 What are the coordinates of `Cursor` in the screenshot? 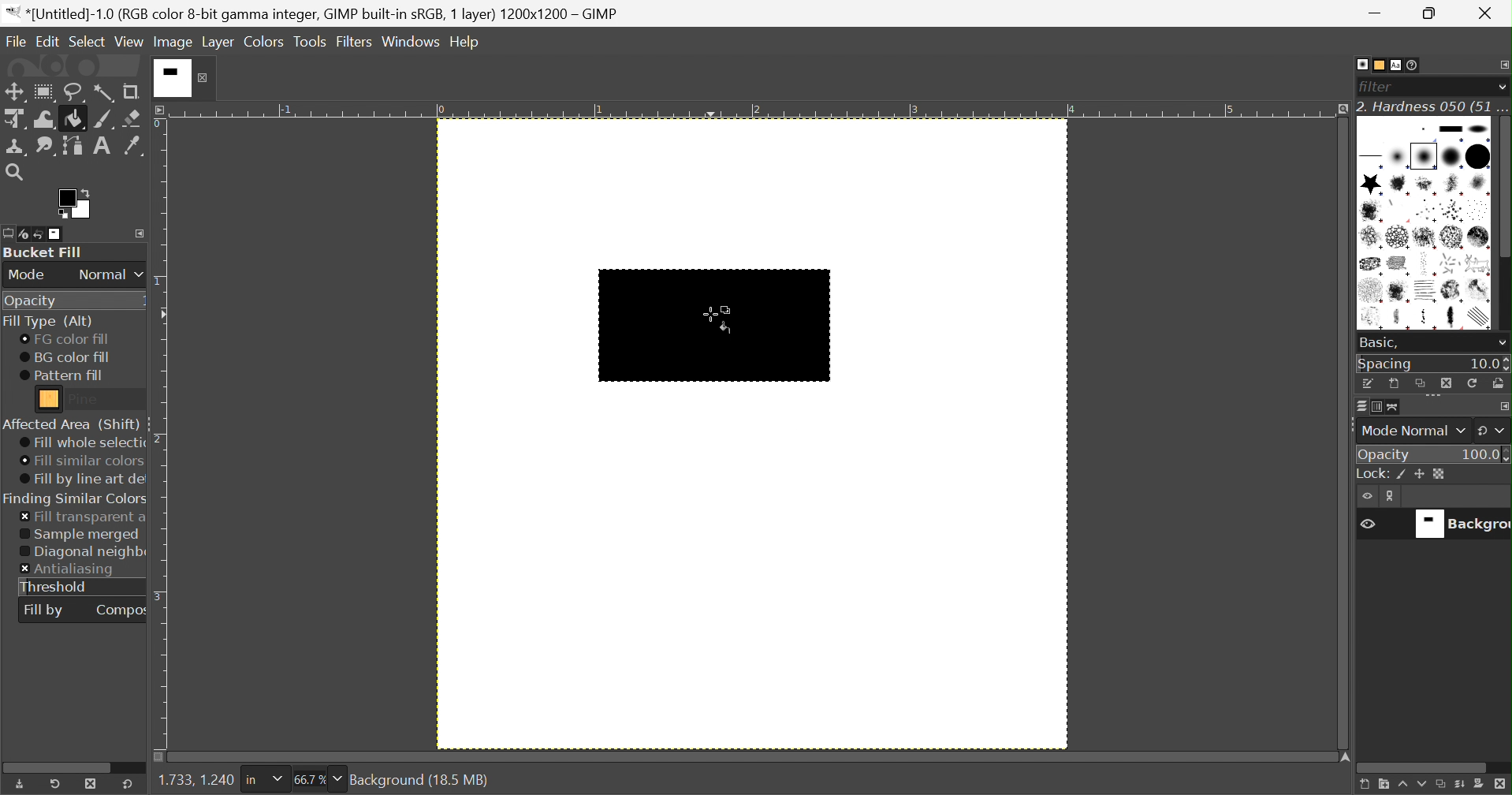 It's located at (721, 320).